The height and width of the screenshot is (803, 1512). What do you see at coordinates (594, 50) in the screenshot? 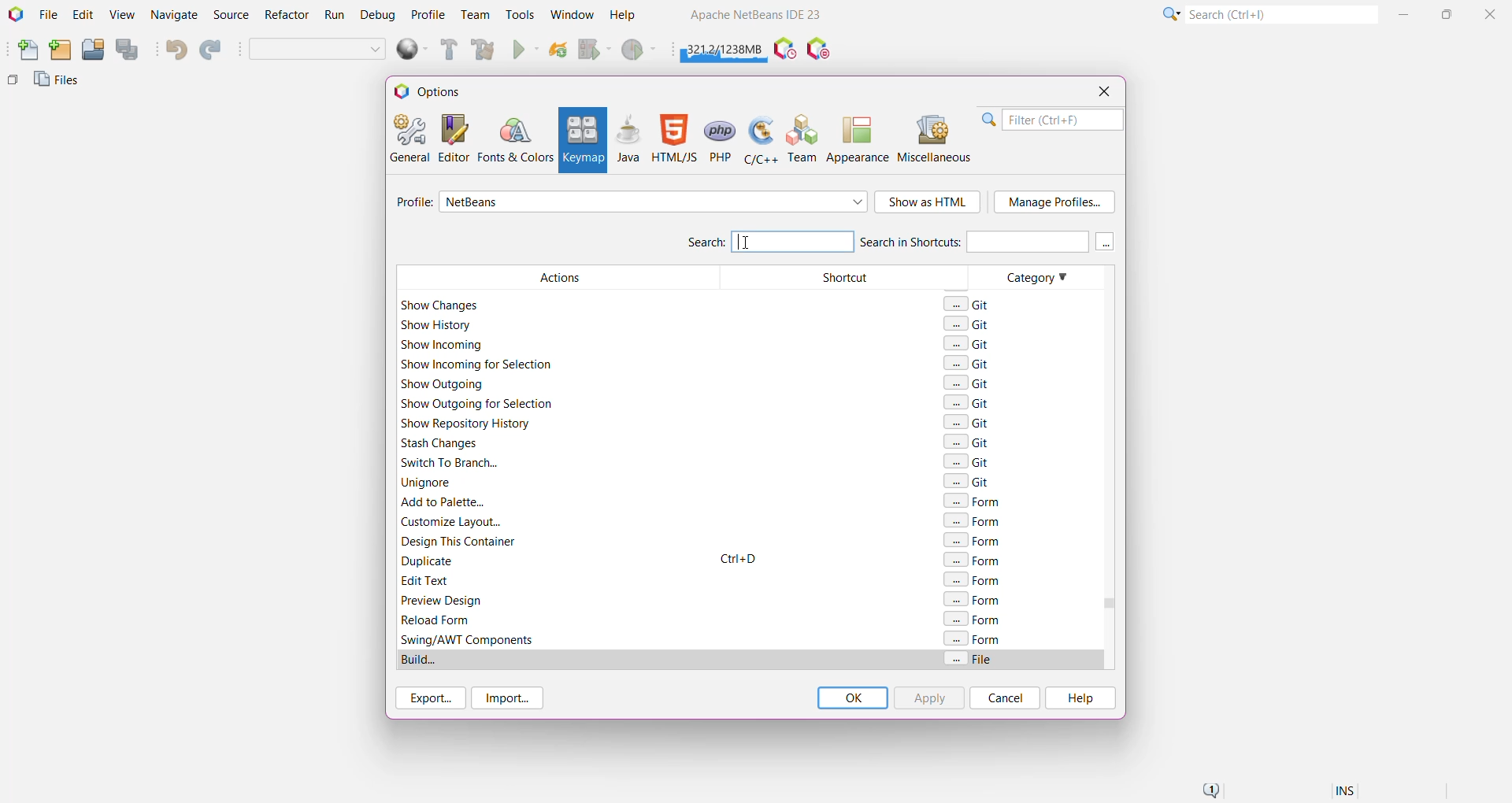
I see `Debug Main Project` at bounding box center [594, 50].